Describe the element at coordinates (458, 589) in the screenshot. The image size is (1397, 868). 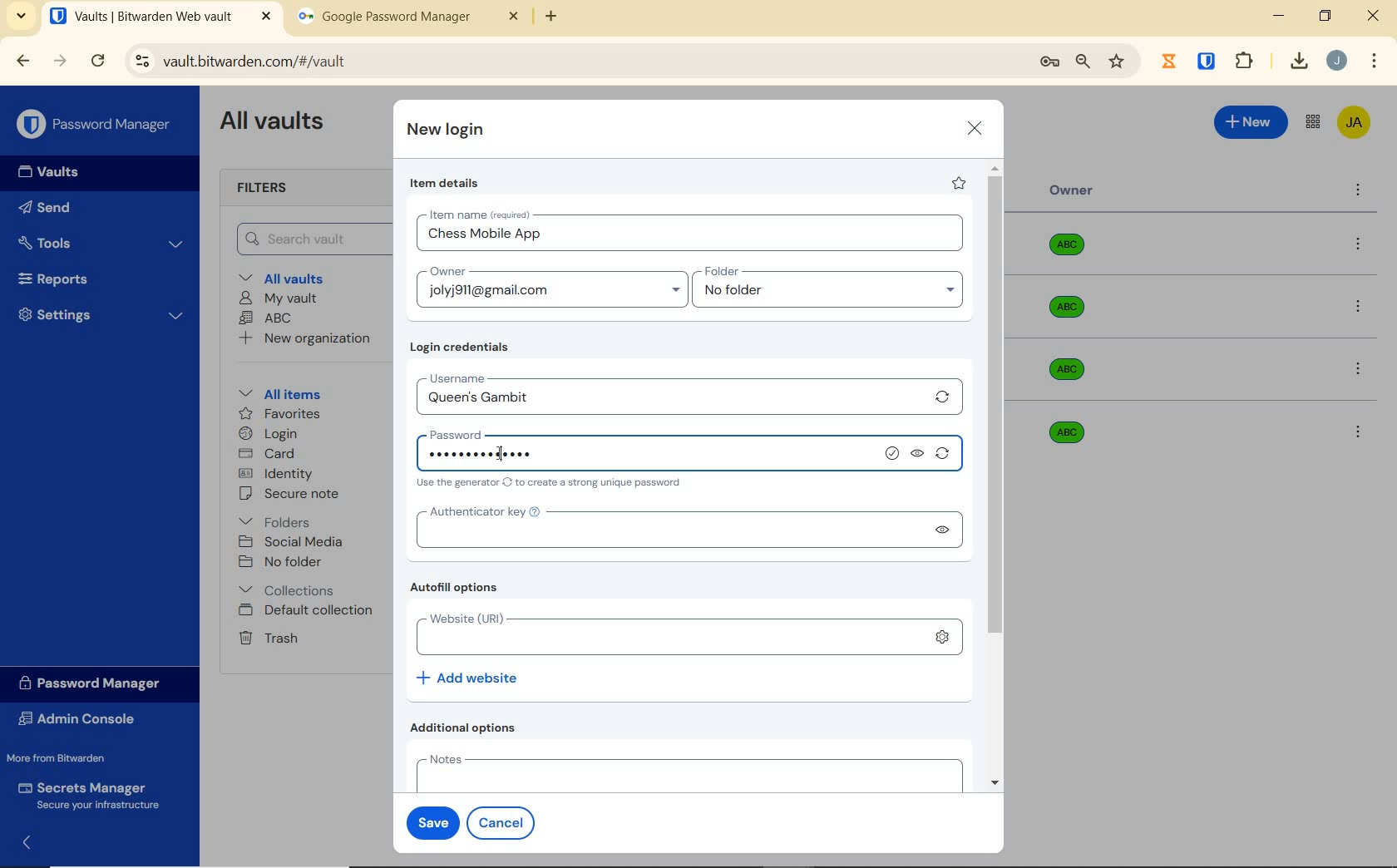
I see `Autofill options` at that location.